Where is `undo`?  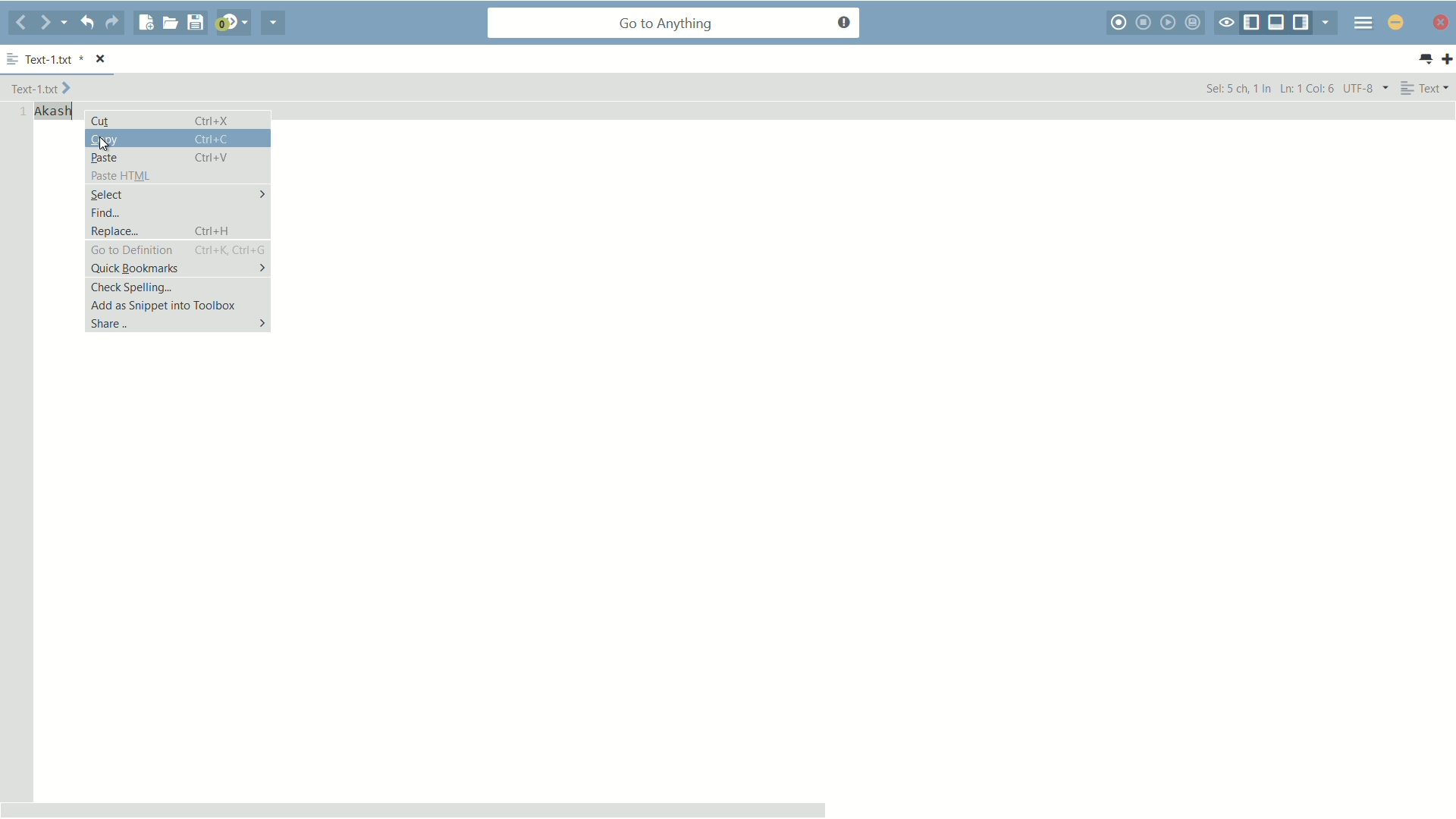 undo is located at coordinates (86, 22).